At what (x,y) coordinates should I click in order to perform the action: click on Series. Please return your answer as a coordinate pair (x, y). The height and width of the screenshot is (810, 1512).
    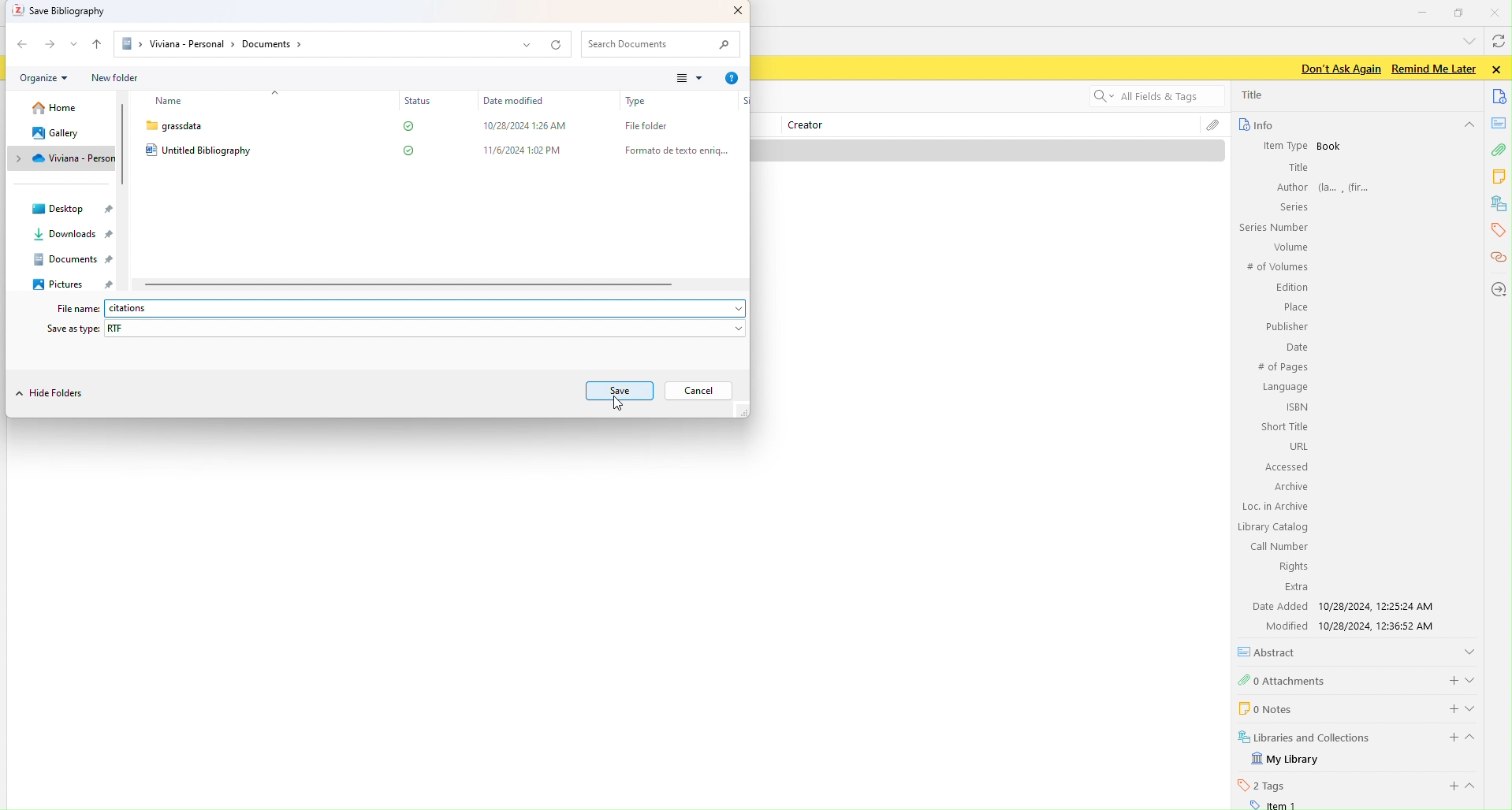
    Looking at the image, I should click on (1291, 206).